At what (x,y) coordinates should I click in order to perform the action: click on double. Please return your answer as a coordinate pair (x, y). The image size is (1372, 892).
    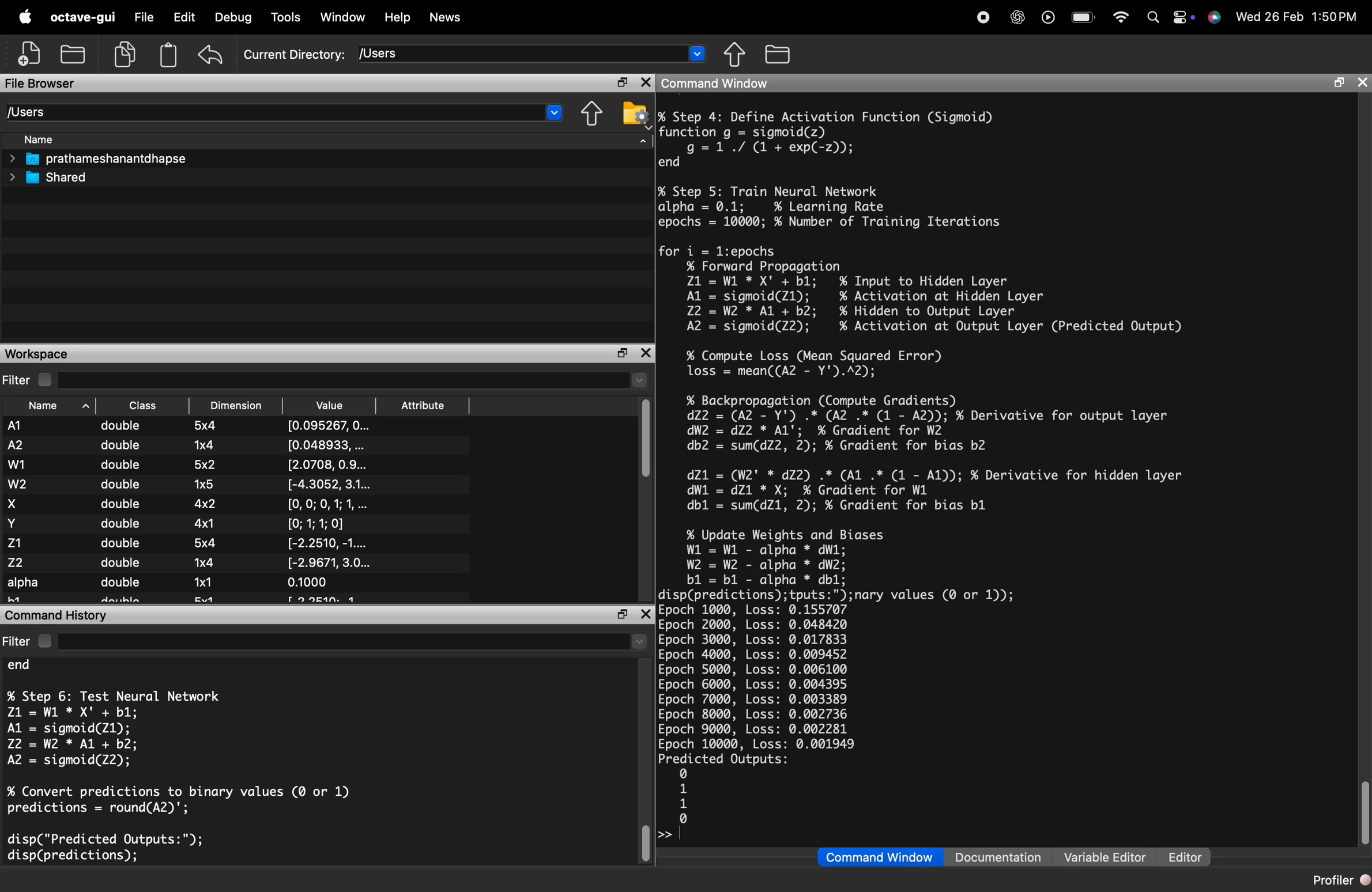
    Looking at the image, I should click on (122, 426).